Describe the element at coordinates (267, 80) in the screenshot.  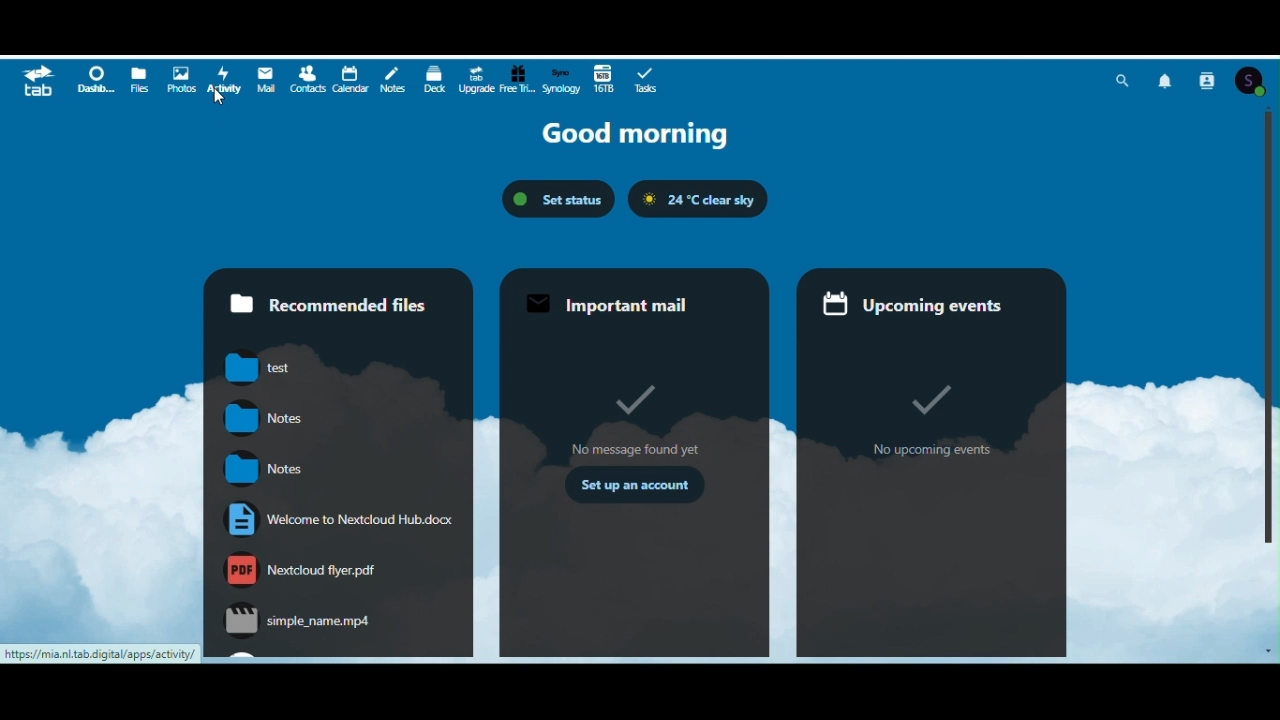
I see `Mail` at that location.